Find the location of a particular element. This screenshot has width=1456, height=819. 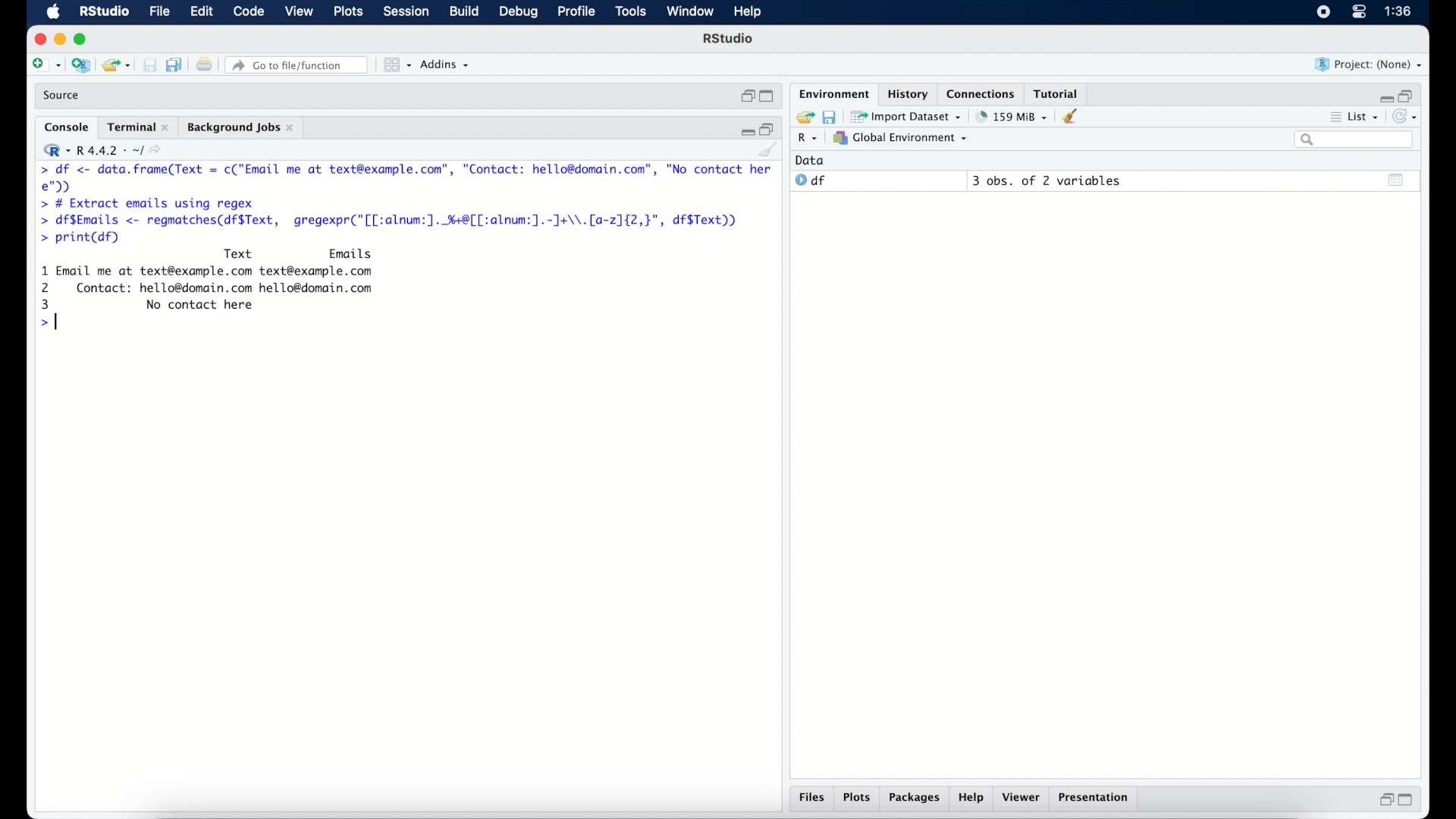

save all documents is located at coordinates (174, 64).